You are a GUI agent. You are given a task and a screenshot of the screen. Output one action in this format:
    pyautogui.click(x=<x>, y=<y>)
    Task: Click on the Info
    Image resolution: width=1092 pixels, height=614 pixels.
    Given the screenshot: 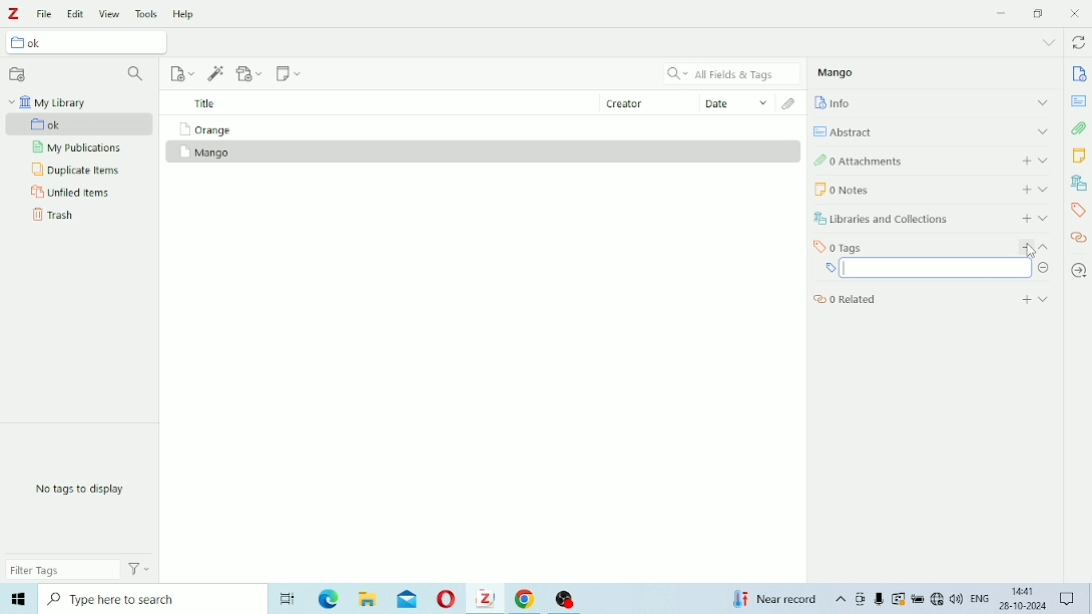 What is the action you would take?
    pyautogui.click(x=1080, y=75)
    